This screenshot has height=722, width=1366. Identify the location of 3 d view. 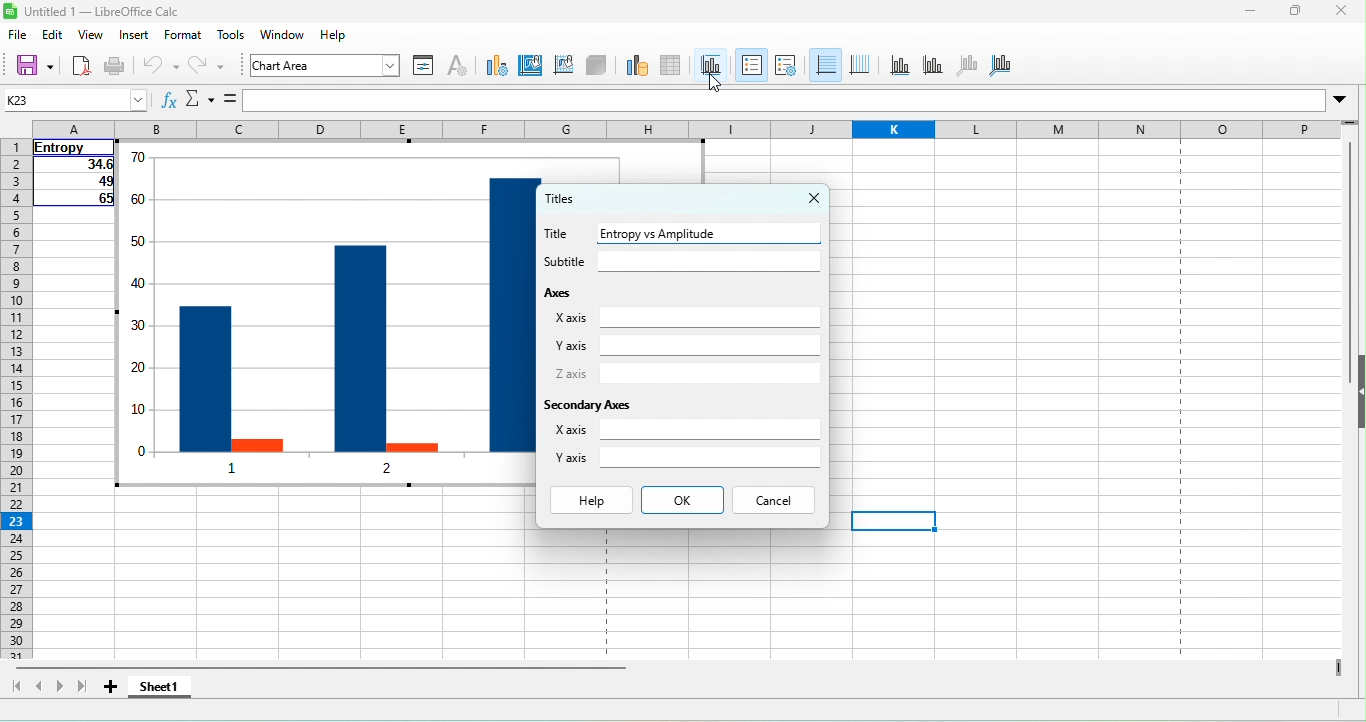
(599, 68).